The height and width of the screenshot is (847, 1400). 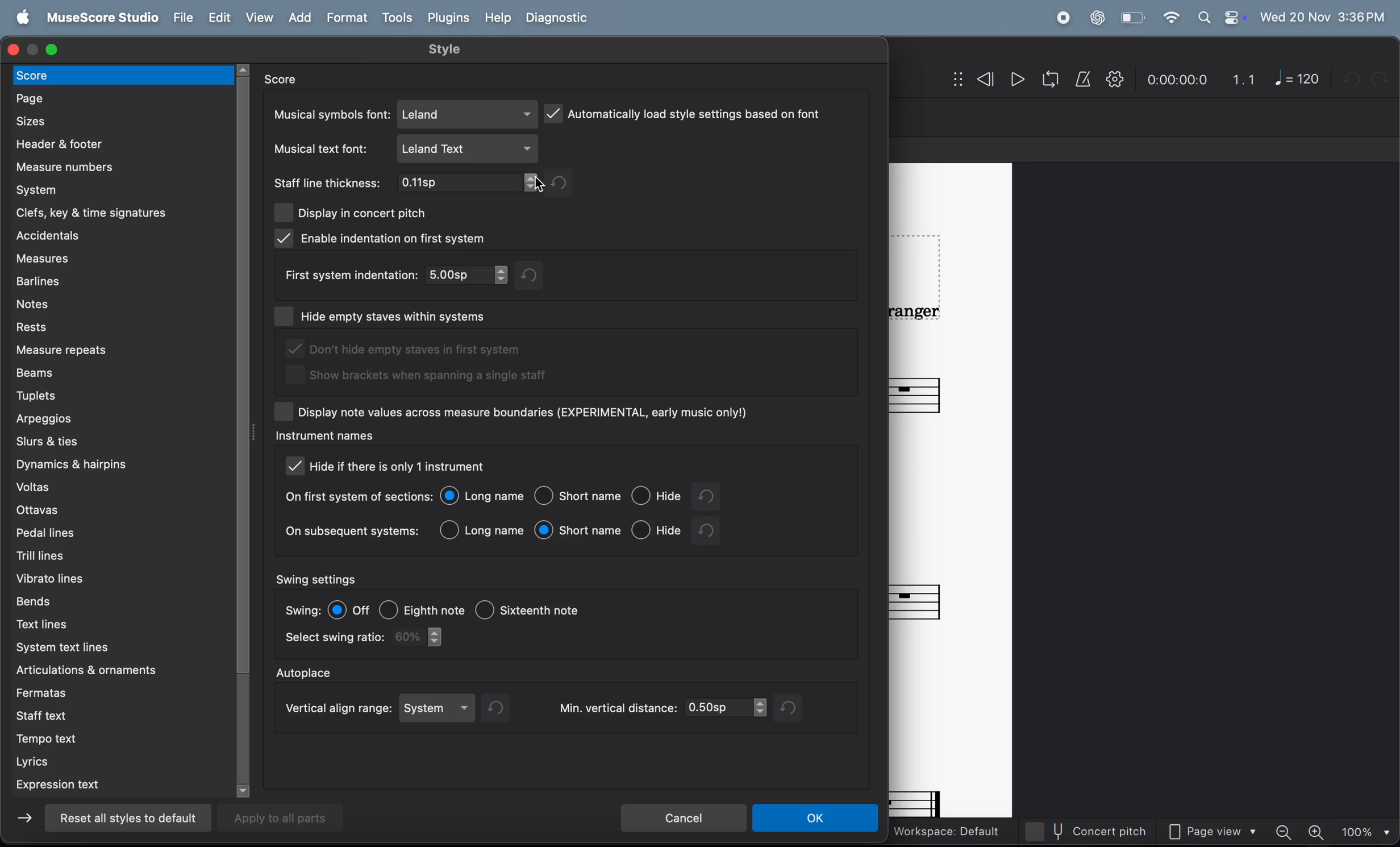 What do you see at coordinates (440, 708) in the screenshot?
I see `system` at bounding box center [440, 708].